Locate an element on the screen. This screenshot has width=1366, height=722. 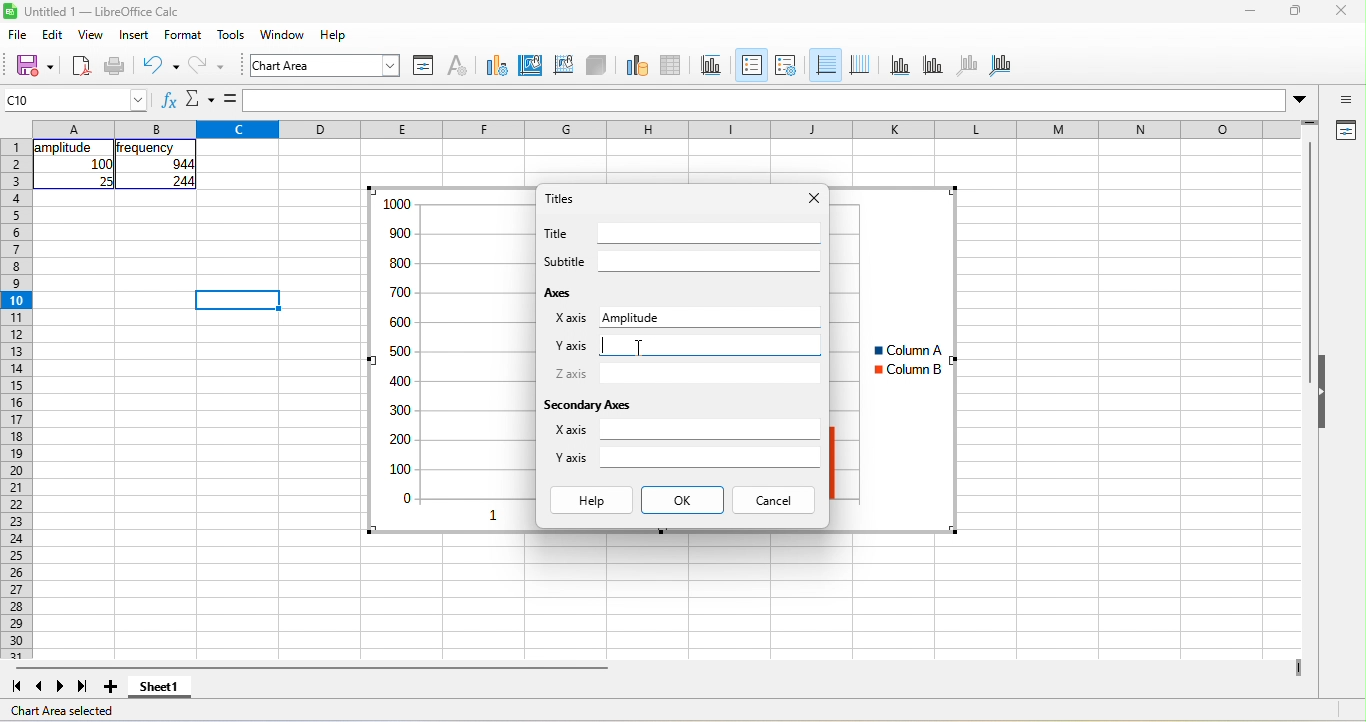
tools is located at coordinates (231, 34).